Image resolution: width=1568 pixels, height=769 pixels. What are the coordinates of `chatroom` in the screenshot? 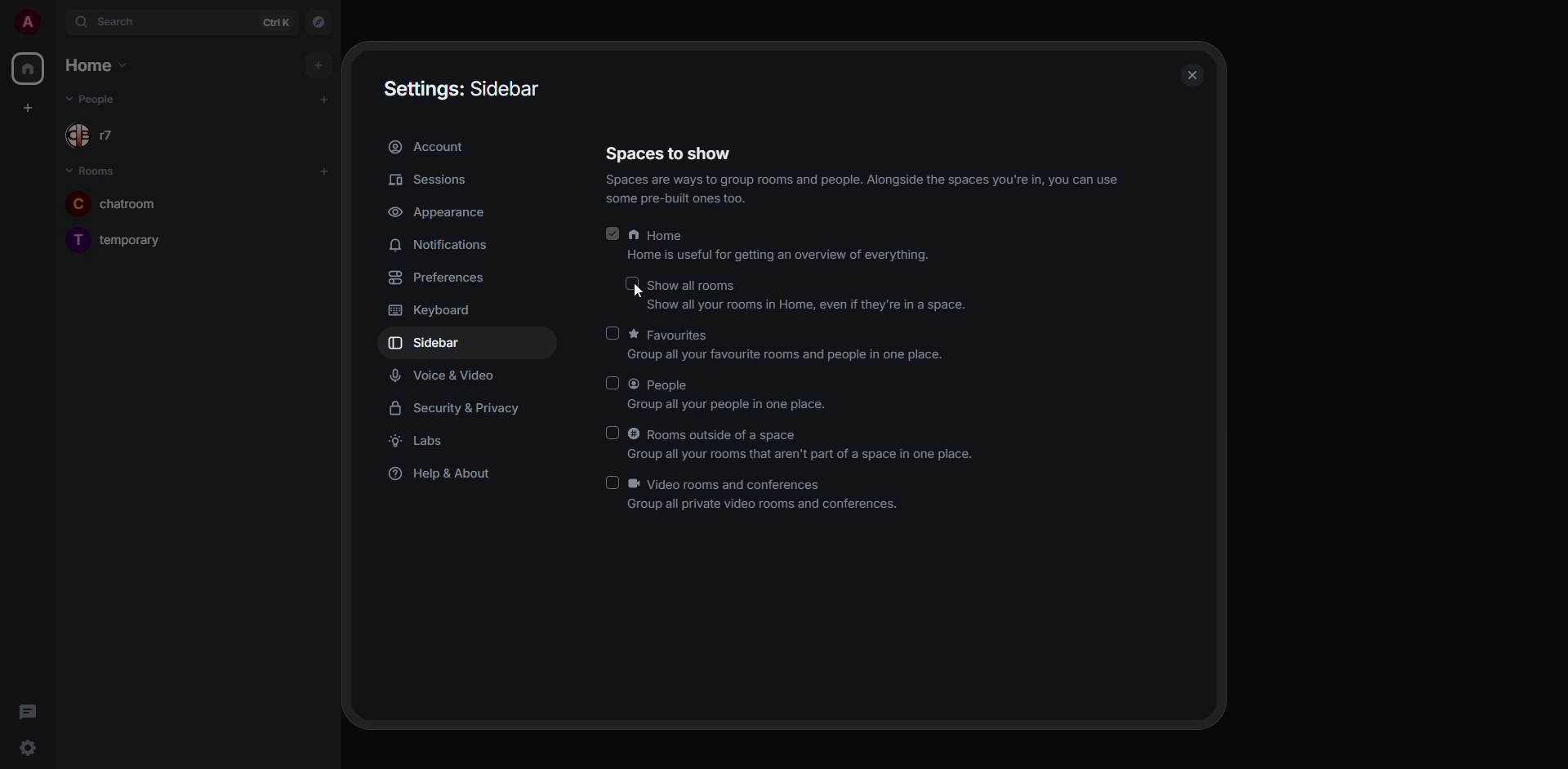 It's located at (113, 202).